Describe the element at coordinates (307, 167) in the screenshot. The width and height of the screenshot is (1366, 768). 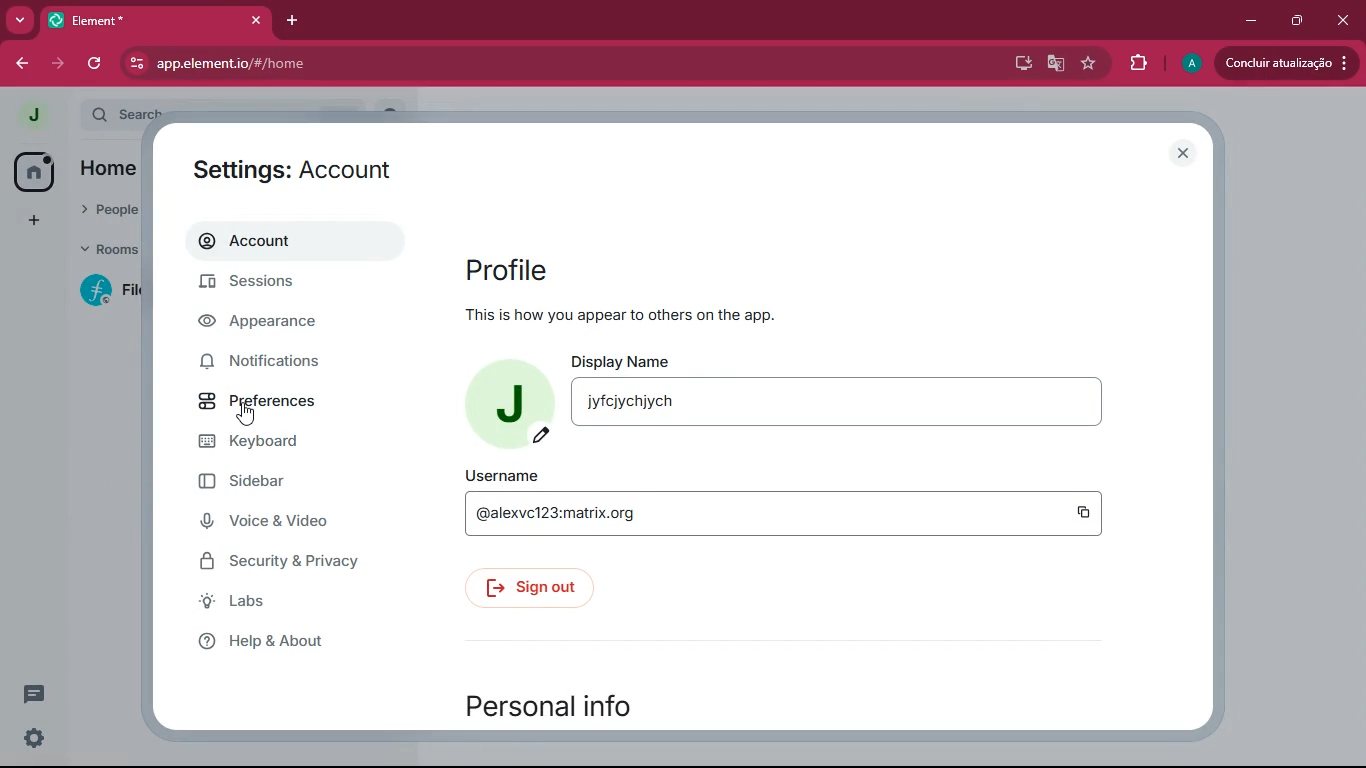
I see `settings` at that location.